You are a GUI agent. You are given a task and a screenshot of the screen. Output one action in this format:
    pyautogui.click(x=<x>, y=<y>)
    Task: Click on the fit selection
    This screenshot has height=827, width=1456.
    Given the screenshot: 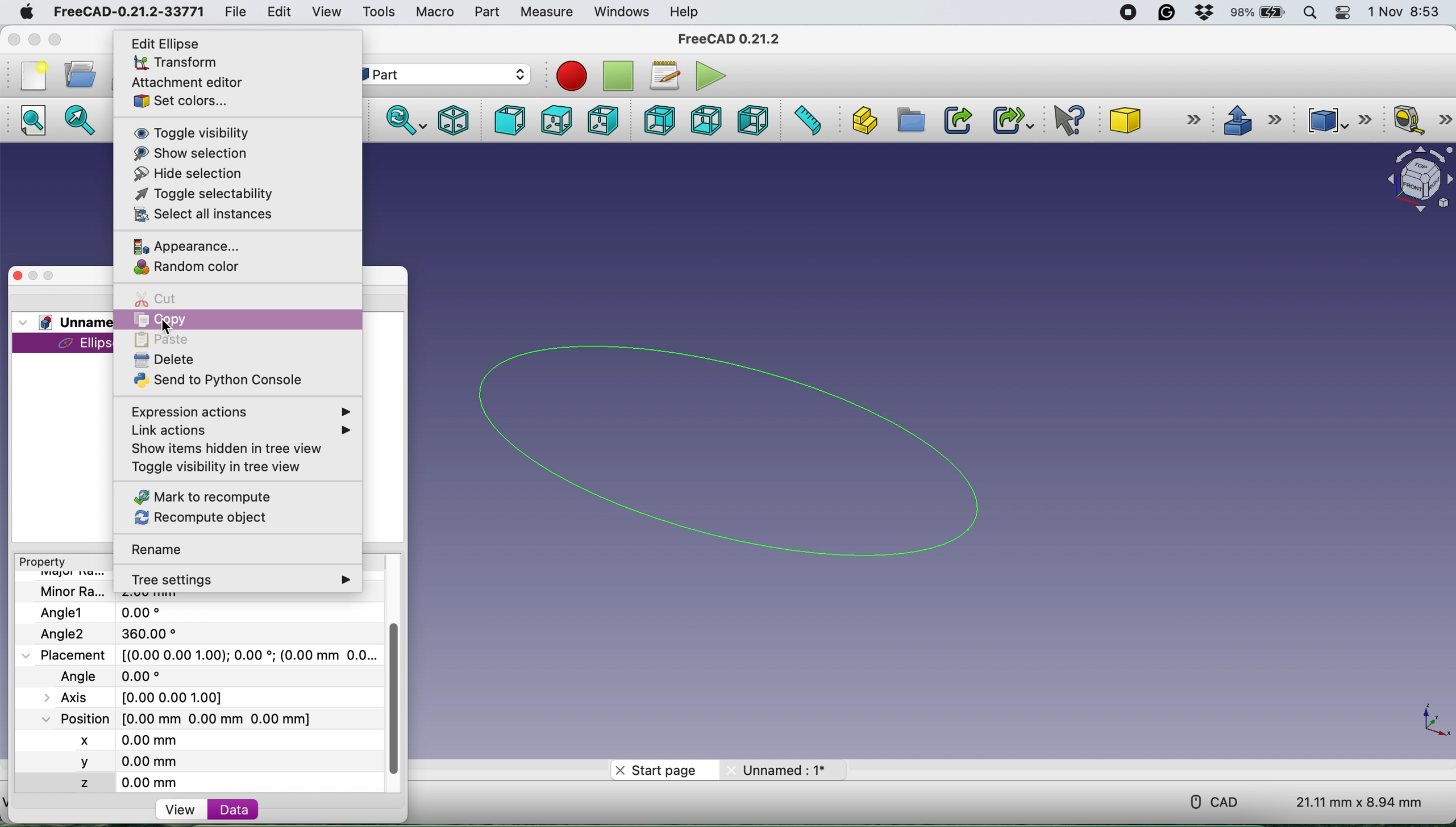 What is the action you would take?
    pyautogui.click(x=80, y=120)
    